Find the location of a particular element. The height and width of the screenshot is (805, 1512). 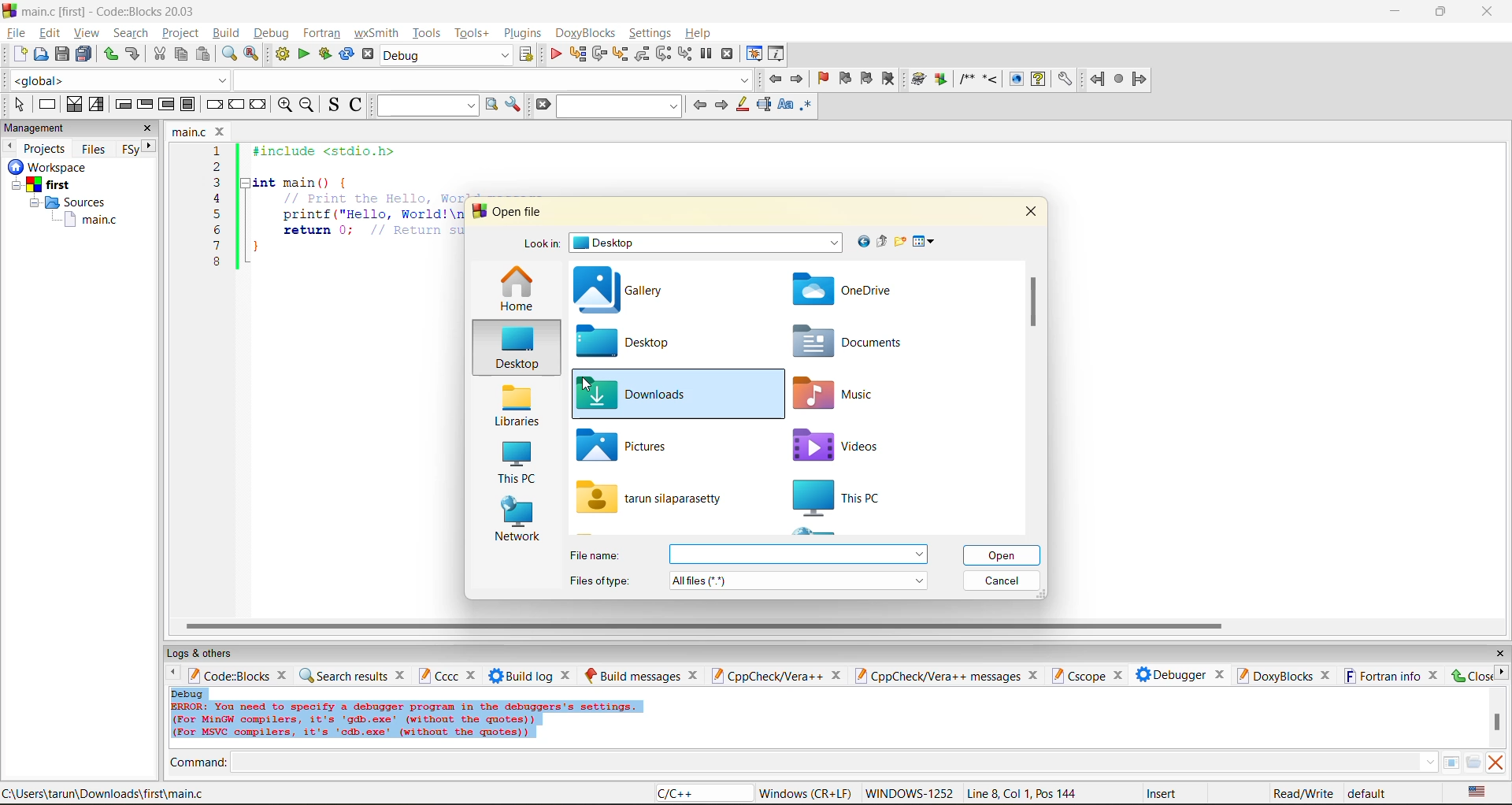

next is located at coordinates (721, 105).